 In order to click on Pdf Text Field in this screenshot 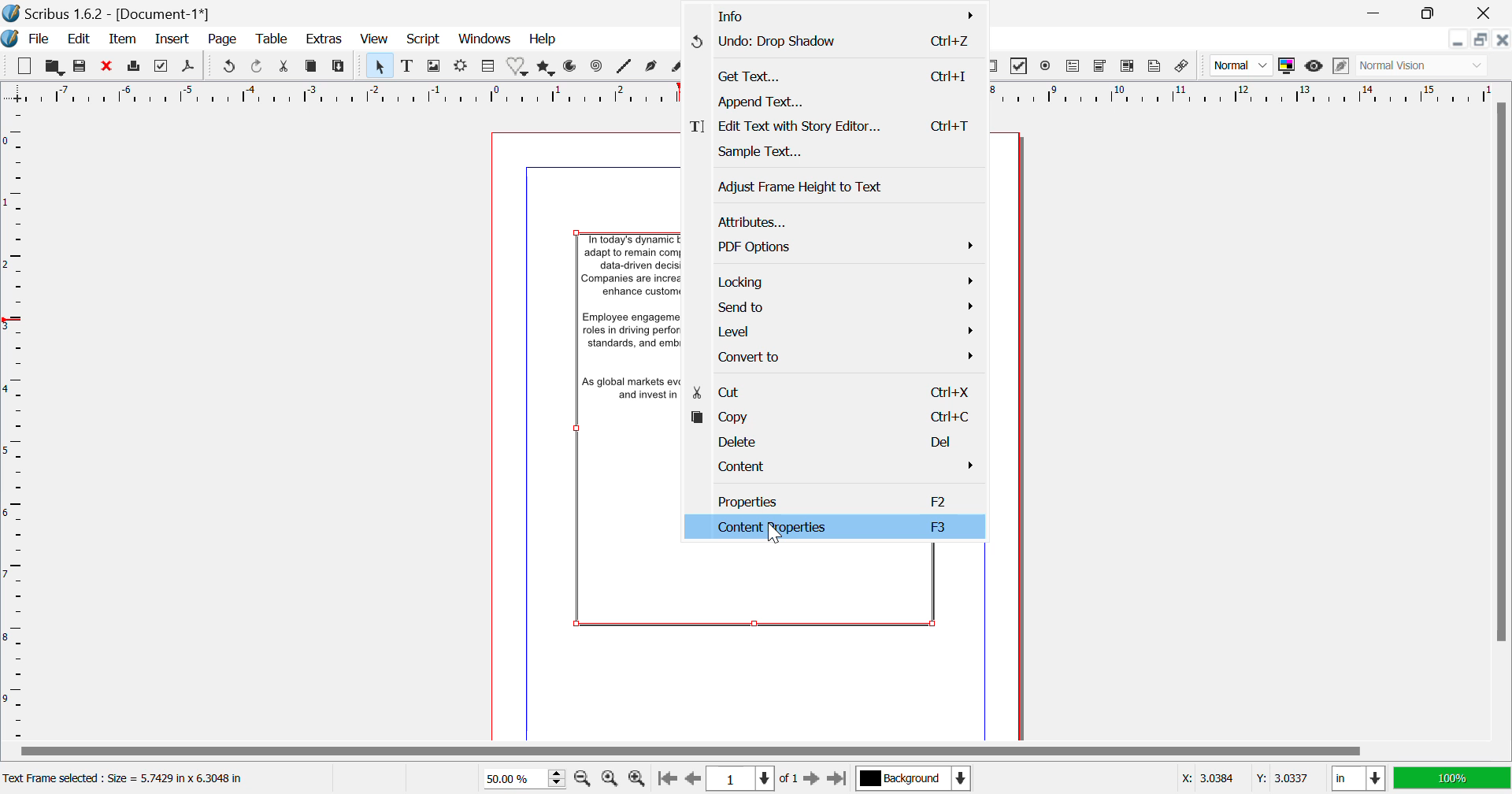, I will do `click(1077, 65)`.